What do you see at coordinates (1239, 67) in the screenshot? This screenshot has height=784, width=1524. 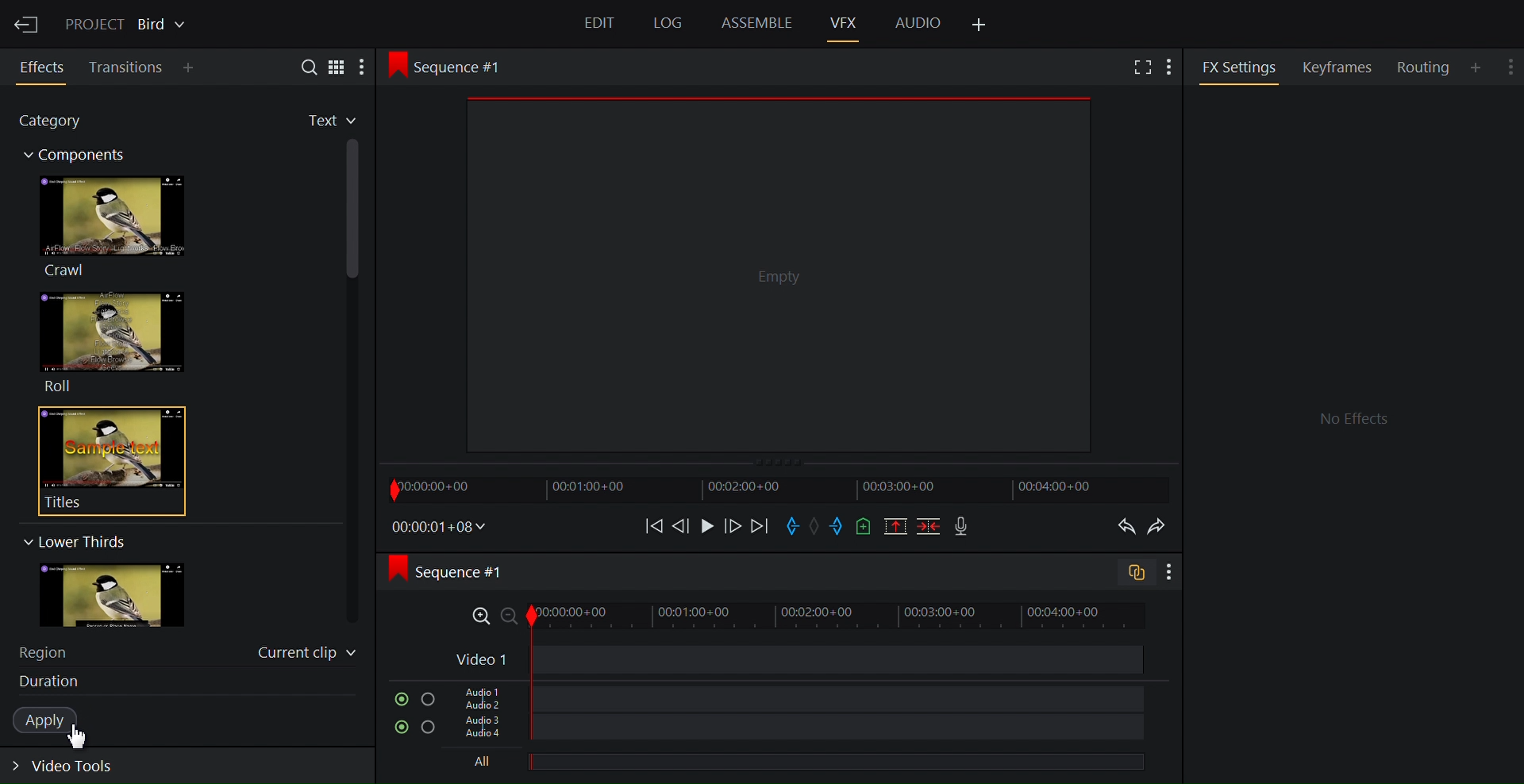 I see `FX Settings` at bounding box center [1239, 67].